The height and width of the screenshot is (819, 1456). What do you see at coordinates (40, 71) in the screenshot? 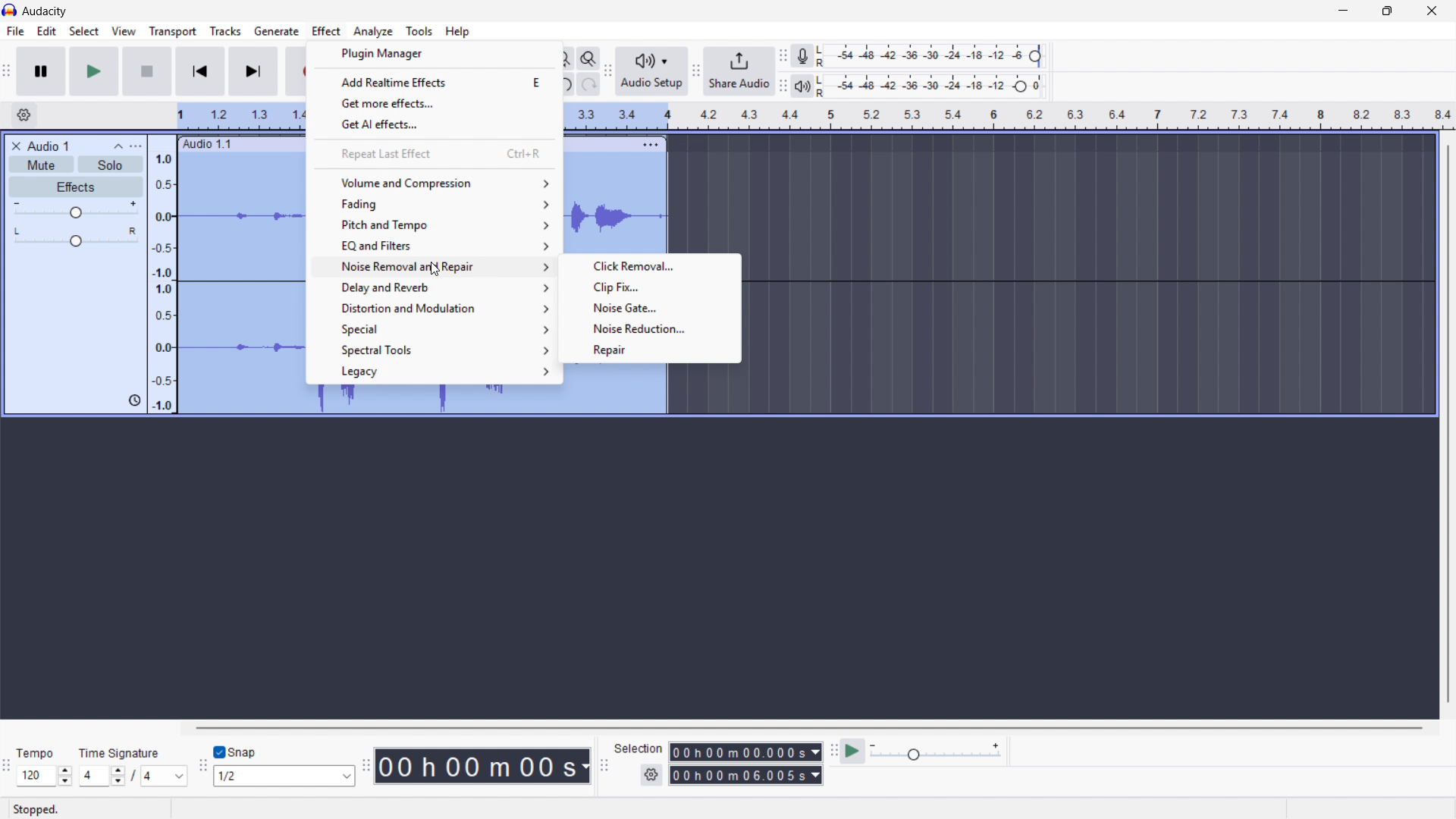
I see `pause ` at bounding box center [40, 71].